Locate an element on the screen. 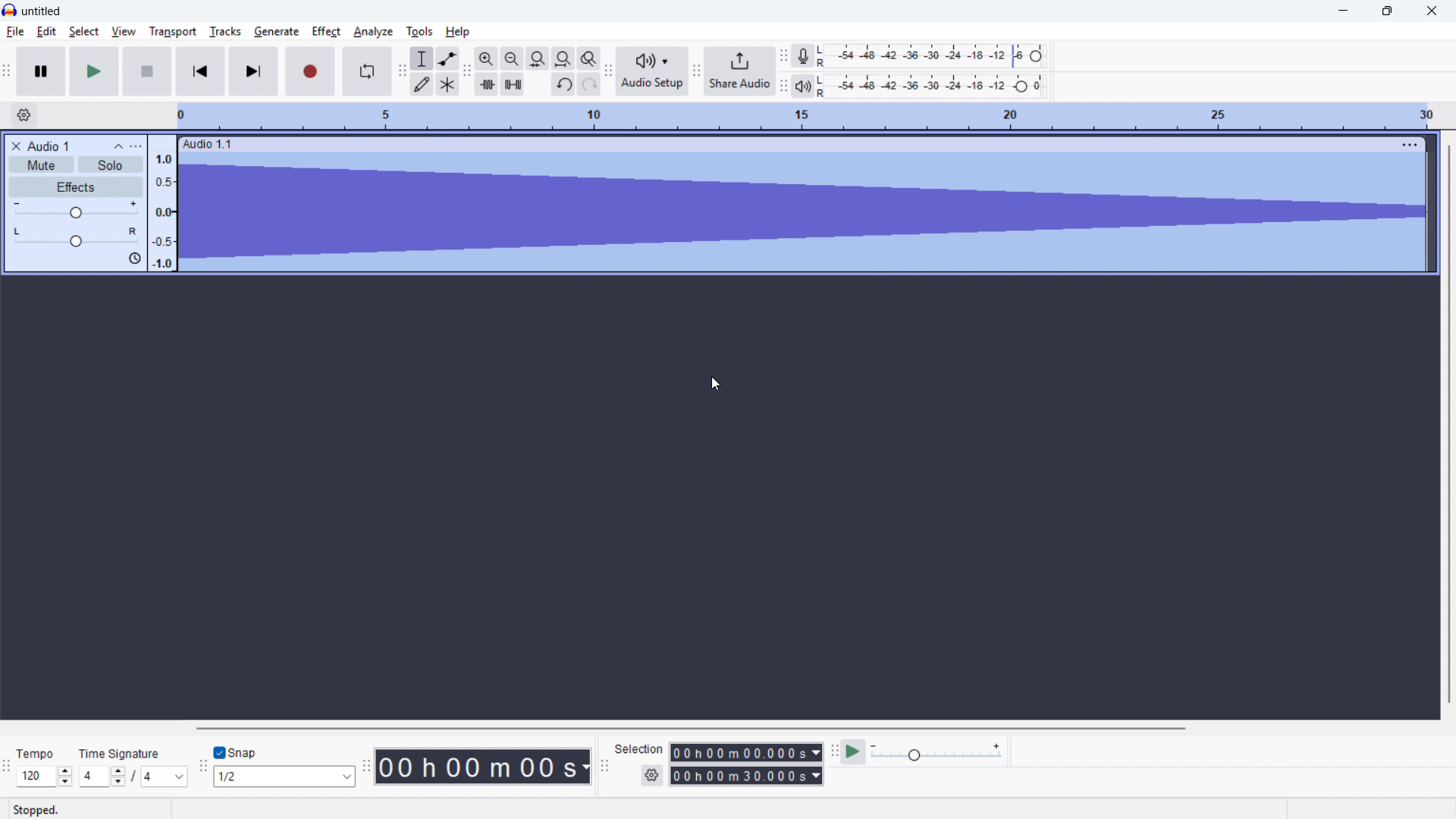 This screenshot has height=819, width=1456. Solo  is located at coordinates (111, 165).